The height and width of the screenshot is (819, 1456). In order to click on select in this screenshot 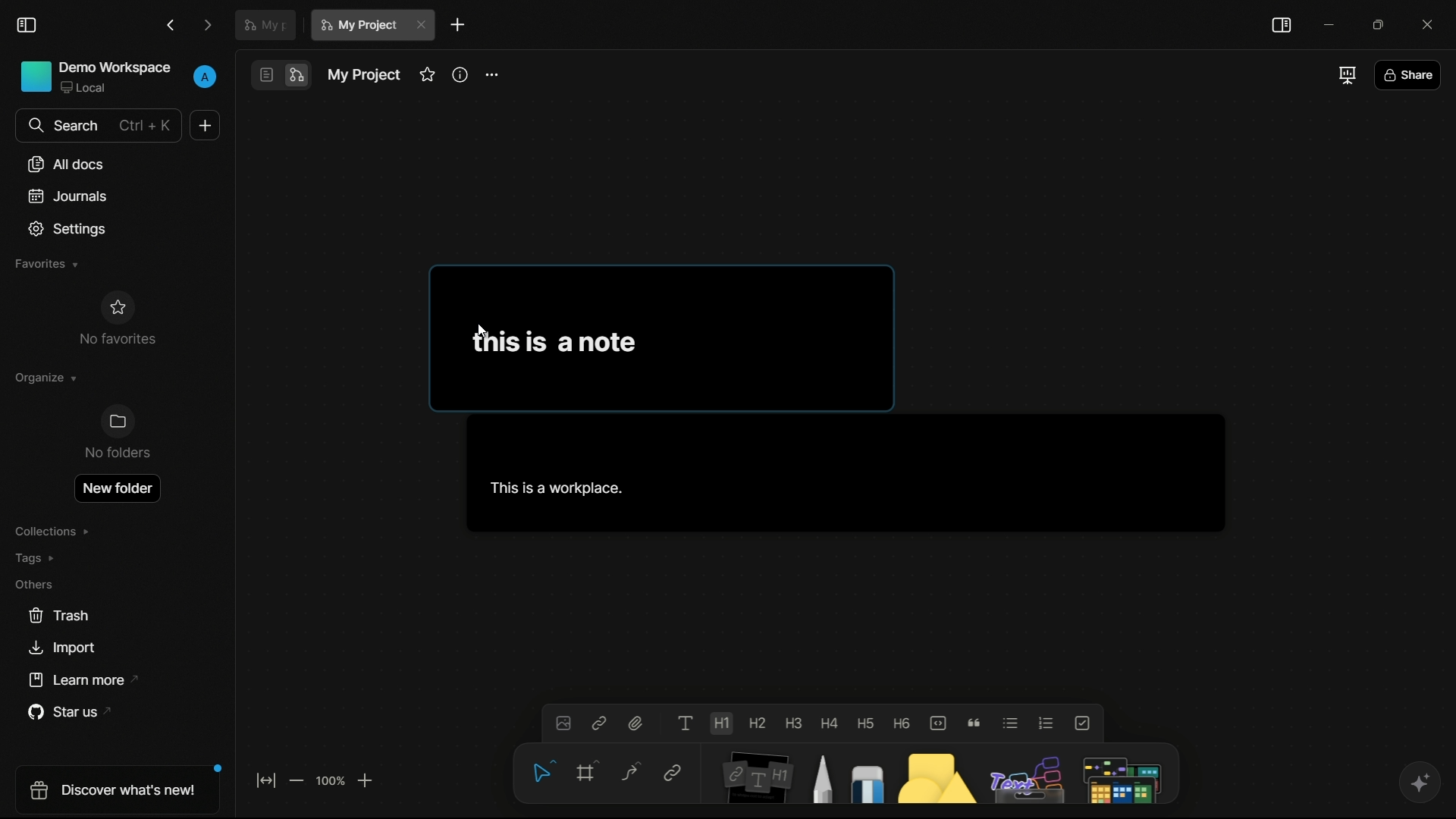, I will do `click(540, 774)`.